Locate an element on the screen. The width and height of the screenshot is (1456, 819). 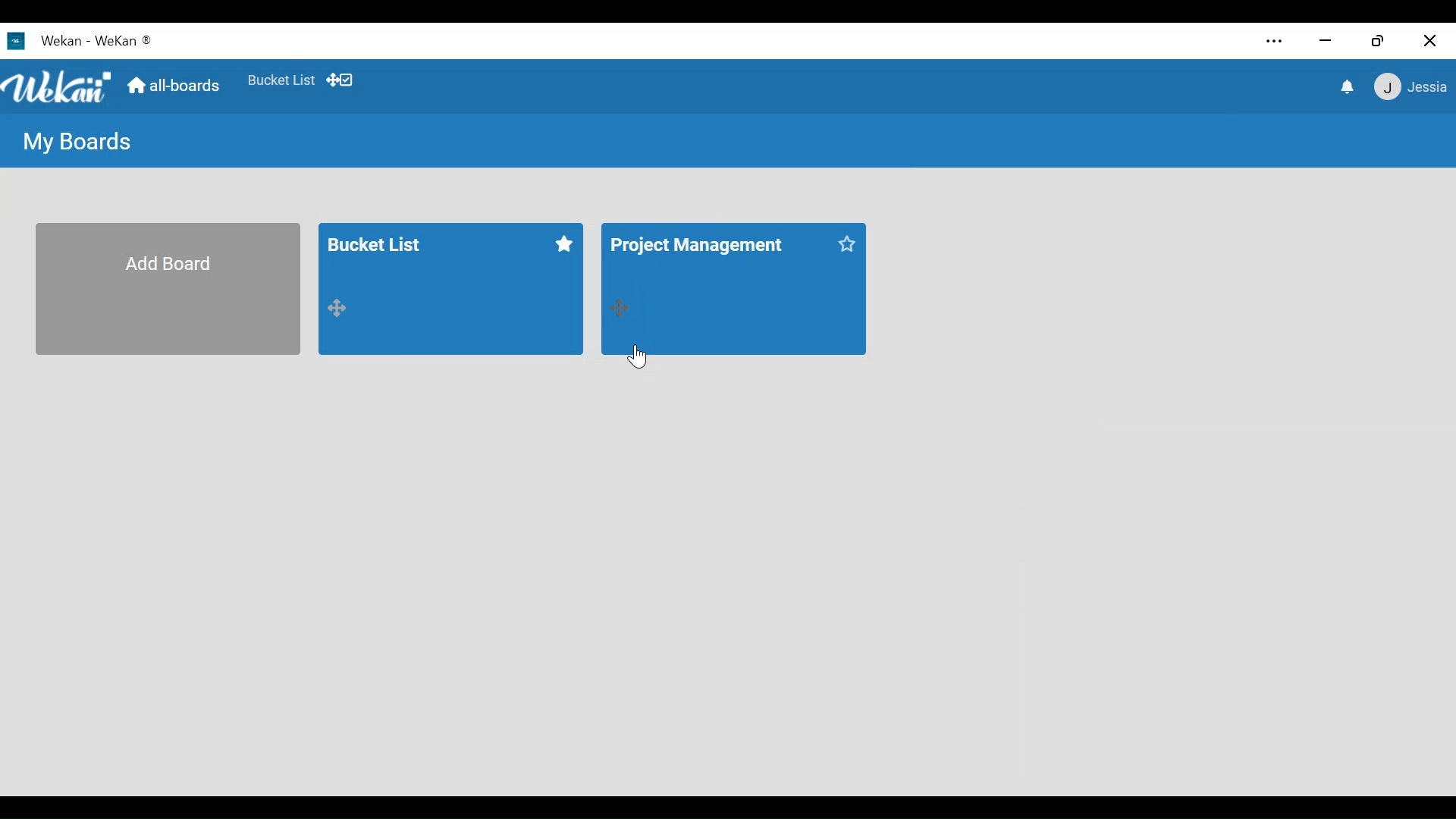
Close is located at coordinates (1429, 37).